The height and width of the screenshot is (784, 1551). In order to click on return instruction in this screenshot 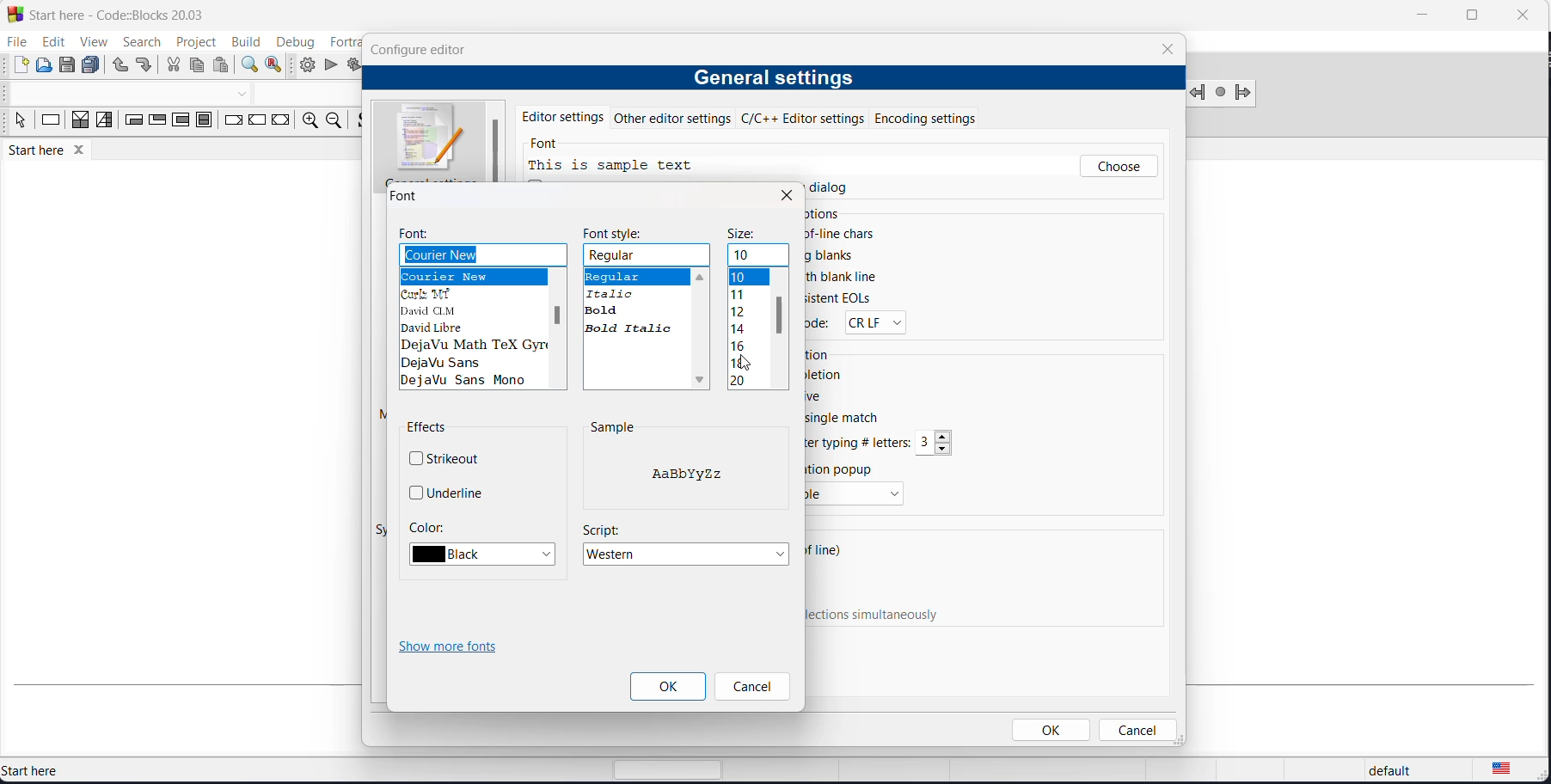, I will do `click(280, 123)`.